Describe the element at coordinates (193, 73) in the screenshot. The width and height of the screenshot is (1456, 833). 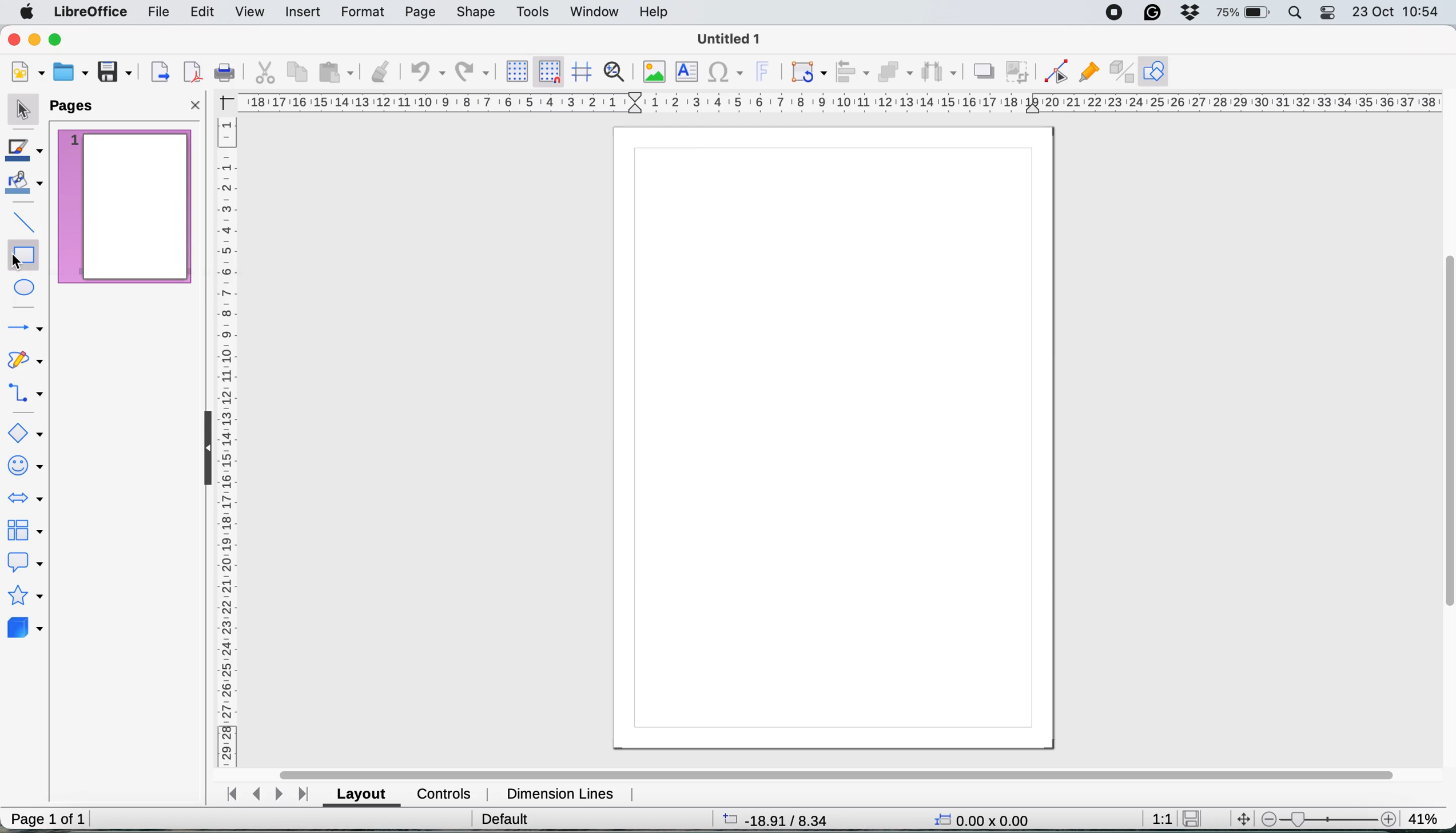
I see `export directly as pdf` at that location.